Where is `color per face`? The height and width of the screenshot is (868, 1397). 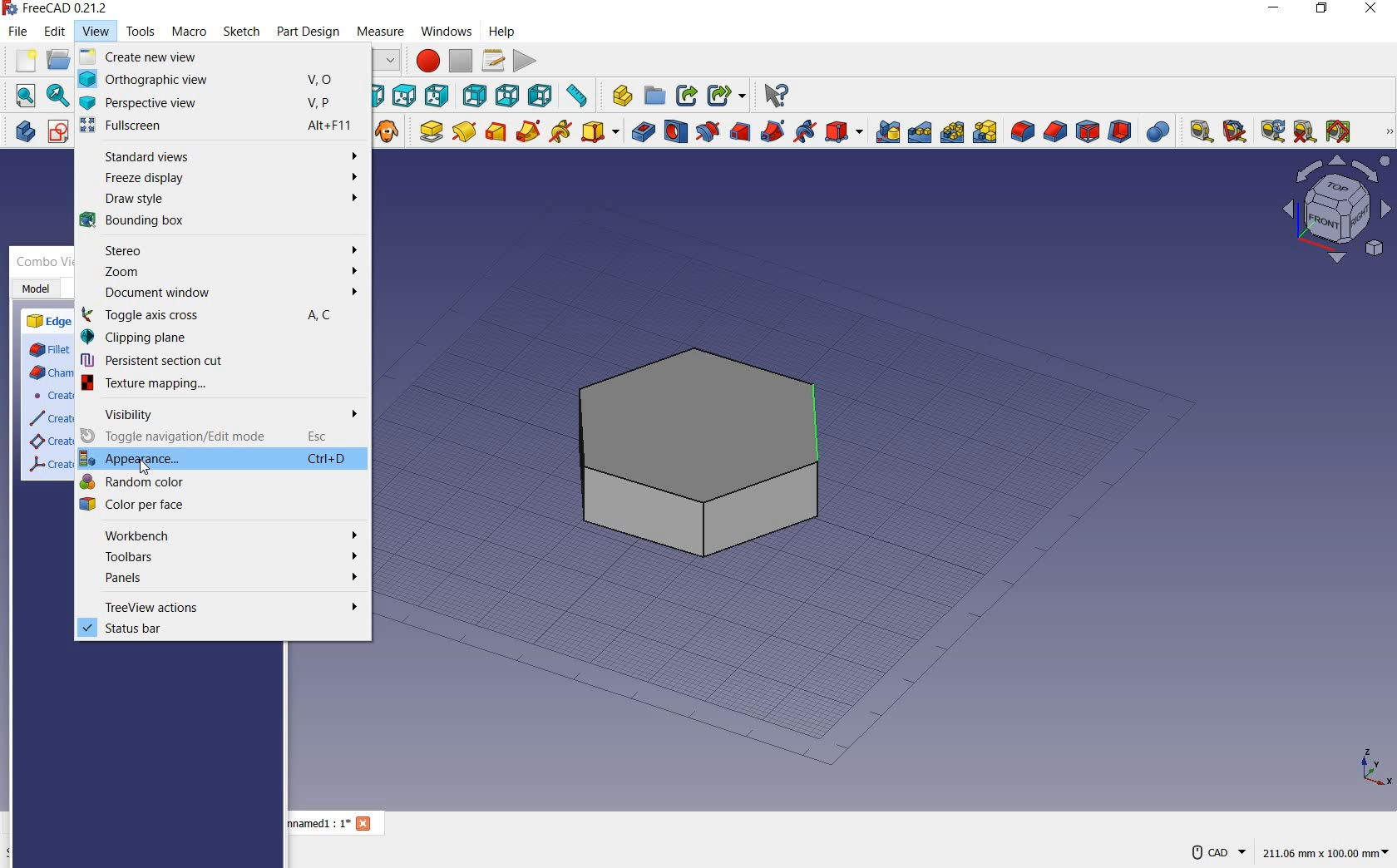
color per face is located at coordinates (225, 506).